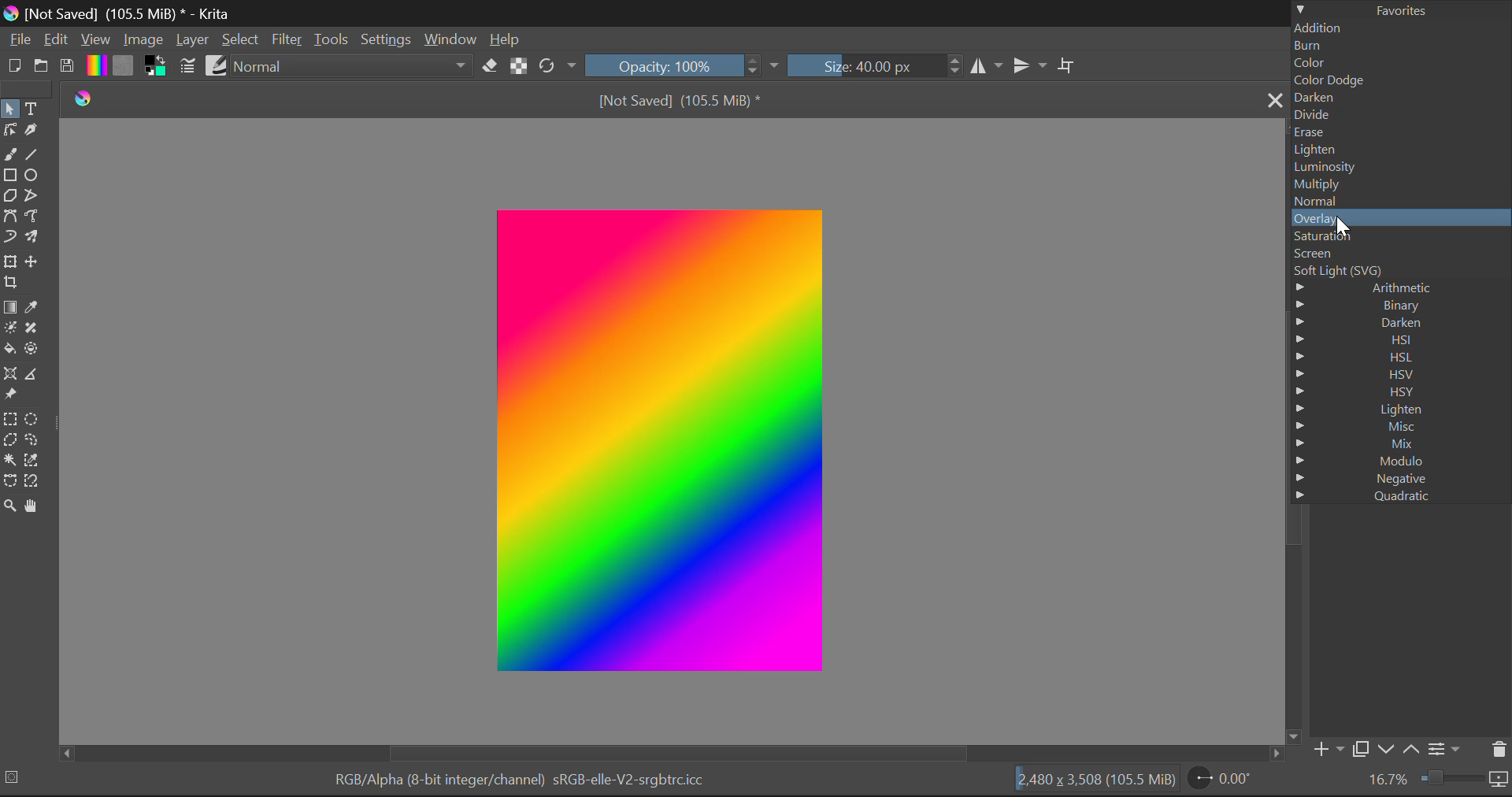  I want to click on Scroll Bar, so click(673, 752).